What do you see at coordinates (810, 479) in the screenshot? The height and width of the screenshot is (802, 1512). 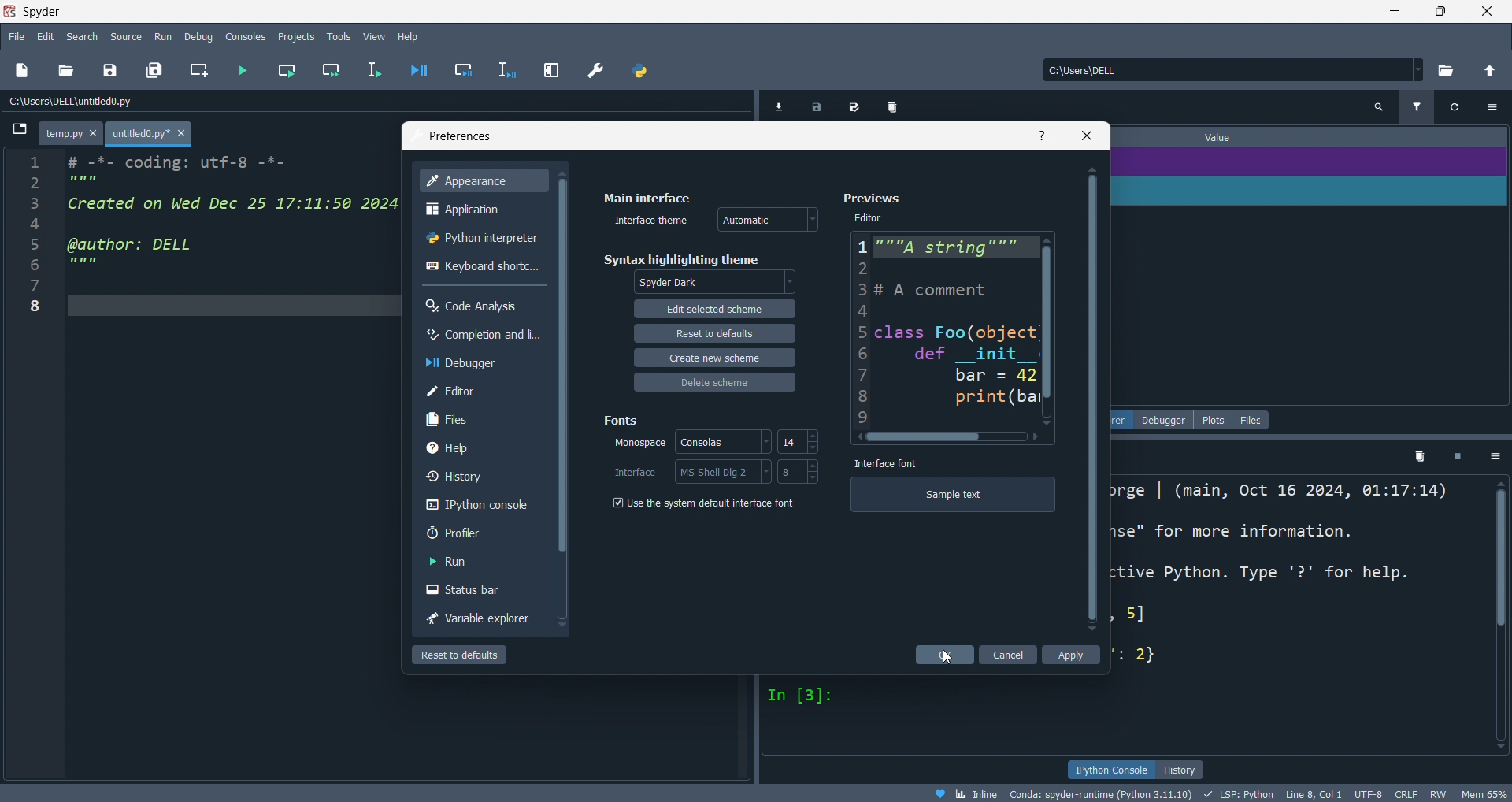 I see `decrease` at bounding box center [810, 479].